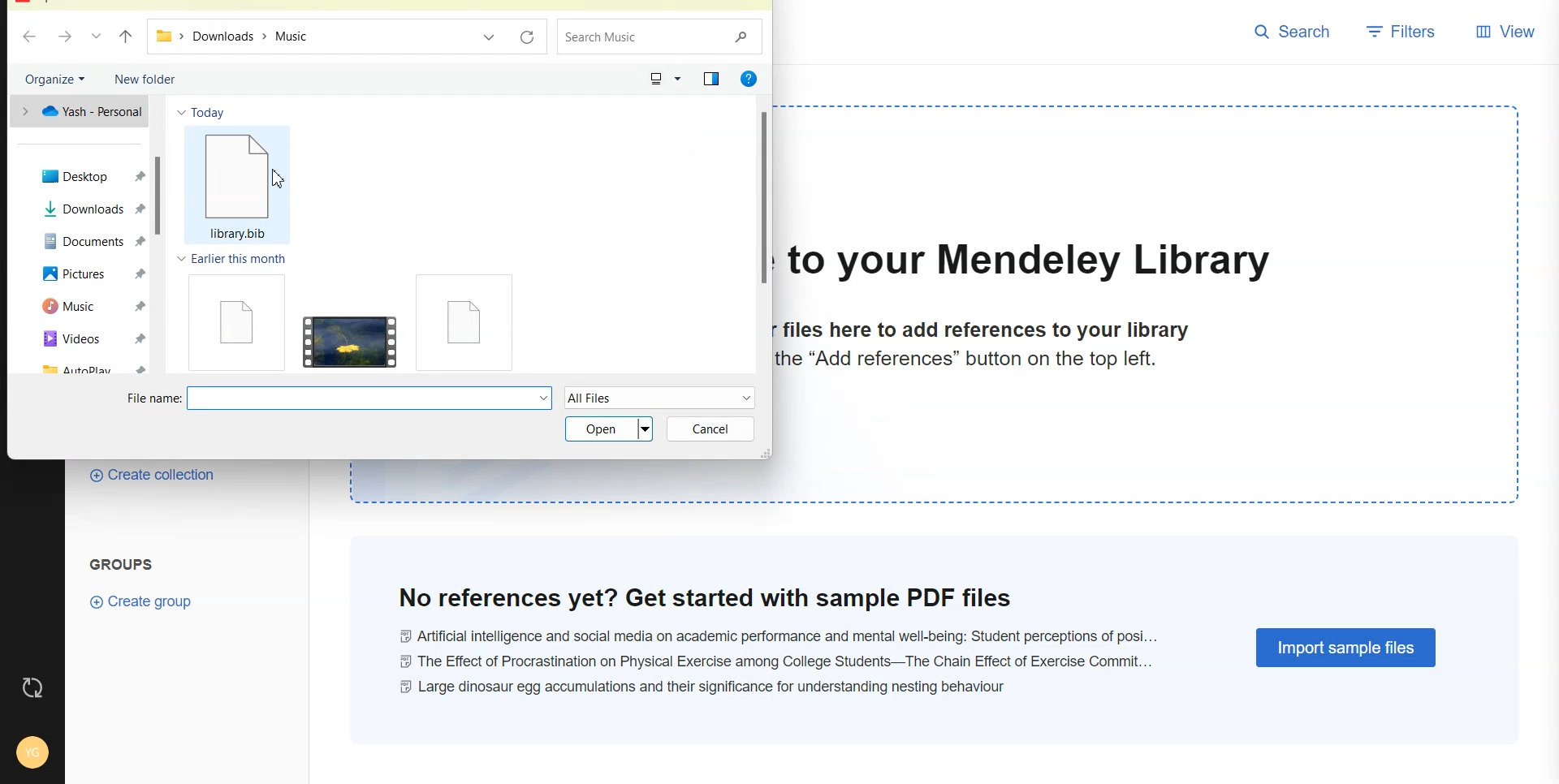 Image resolution: width=1559 pixels, height=784 pixels. What do you see at coordinates (80, 337) in the screenshot?
I see `Videos` at bounding box center [80, 337].